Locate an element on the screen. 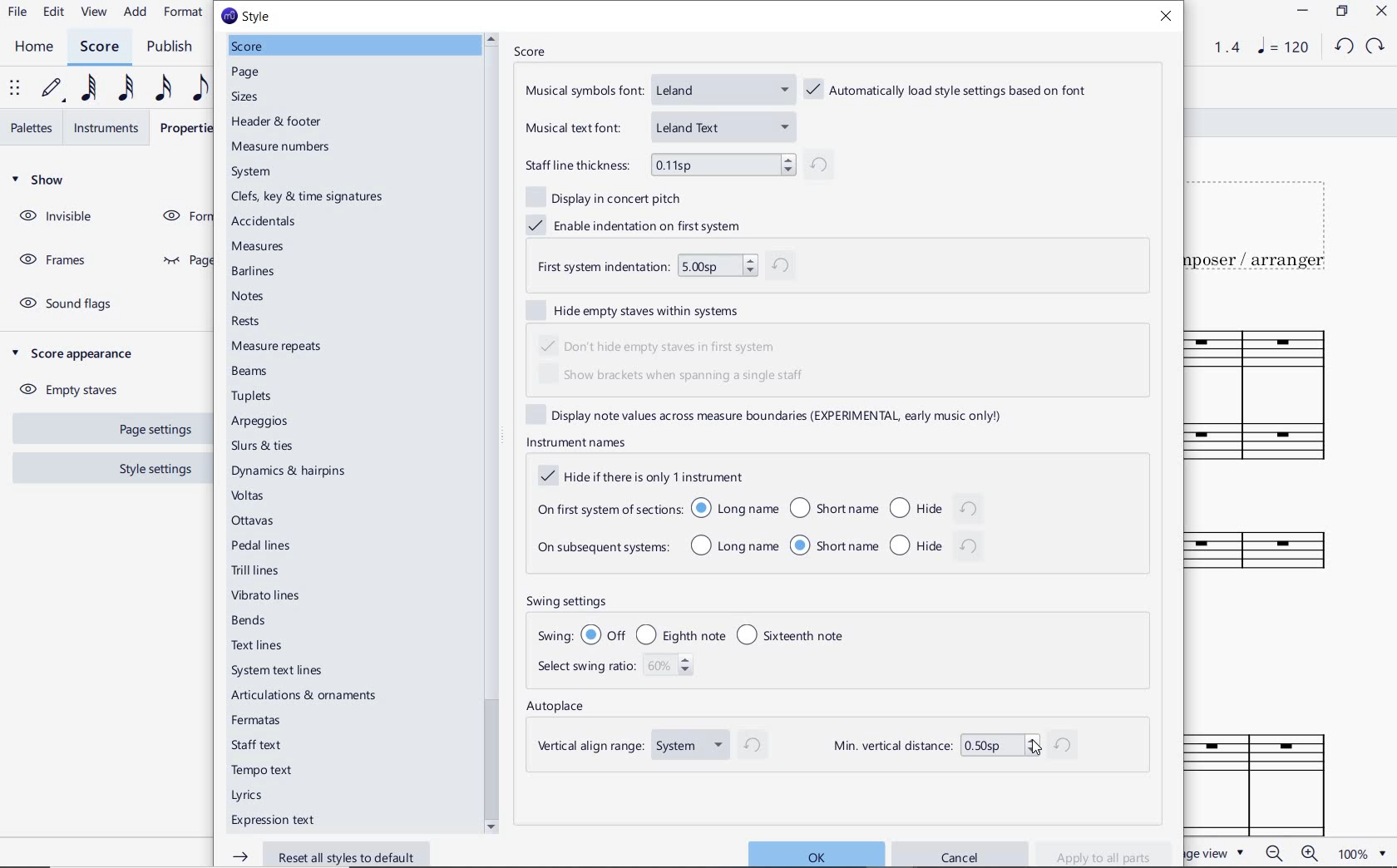 This screenshot has width=1397, height=868. HIDE IF THERE IS ONLY 1 INSTRUMENT is located at coordinates (638, 476).